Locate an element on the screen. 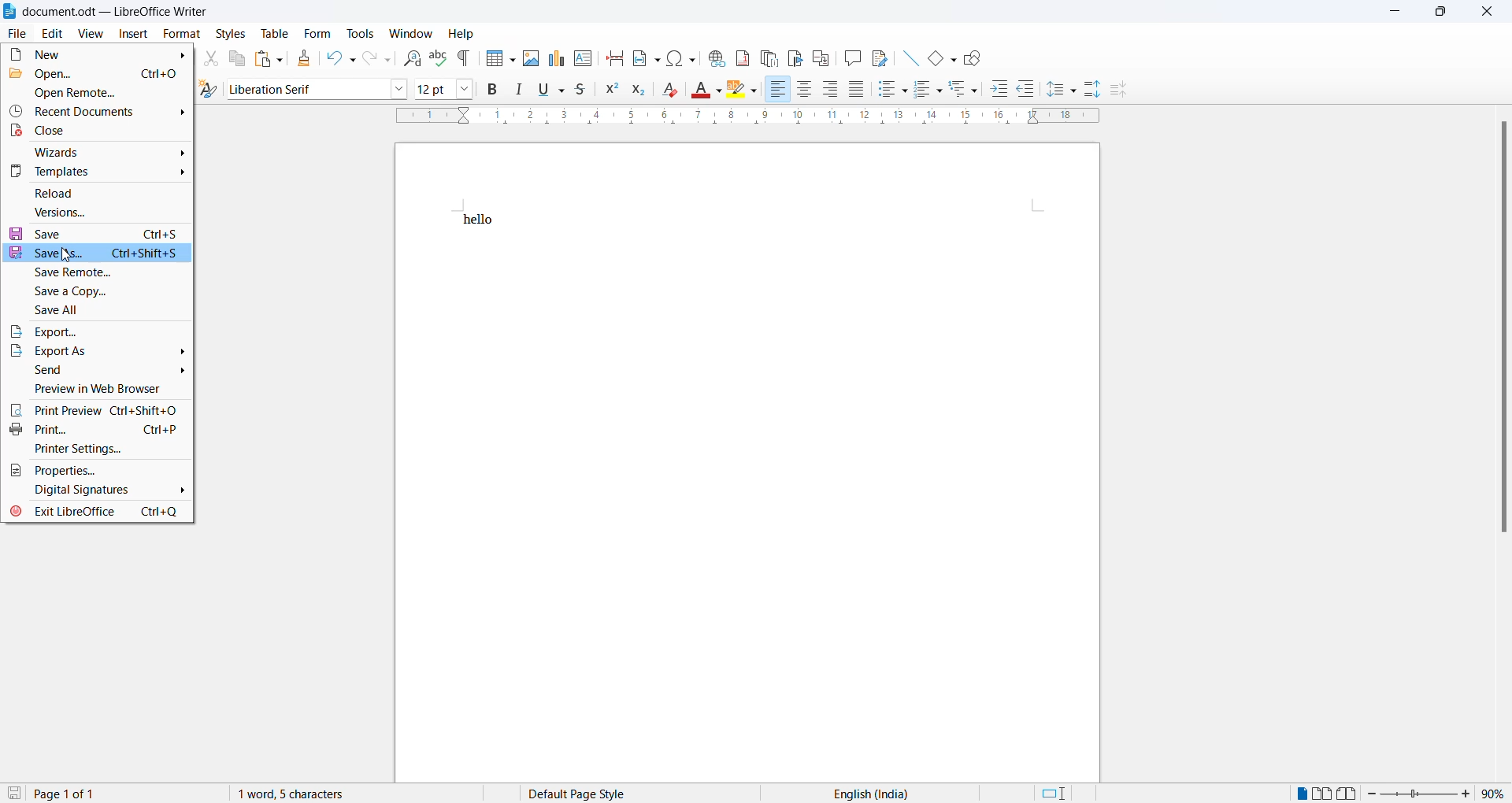  Underline is located at coordinates (550, 92).